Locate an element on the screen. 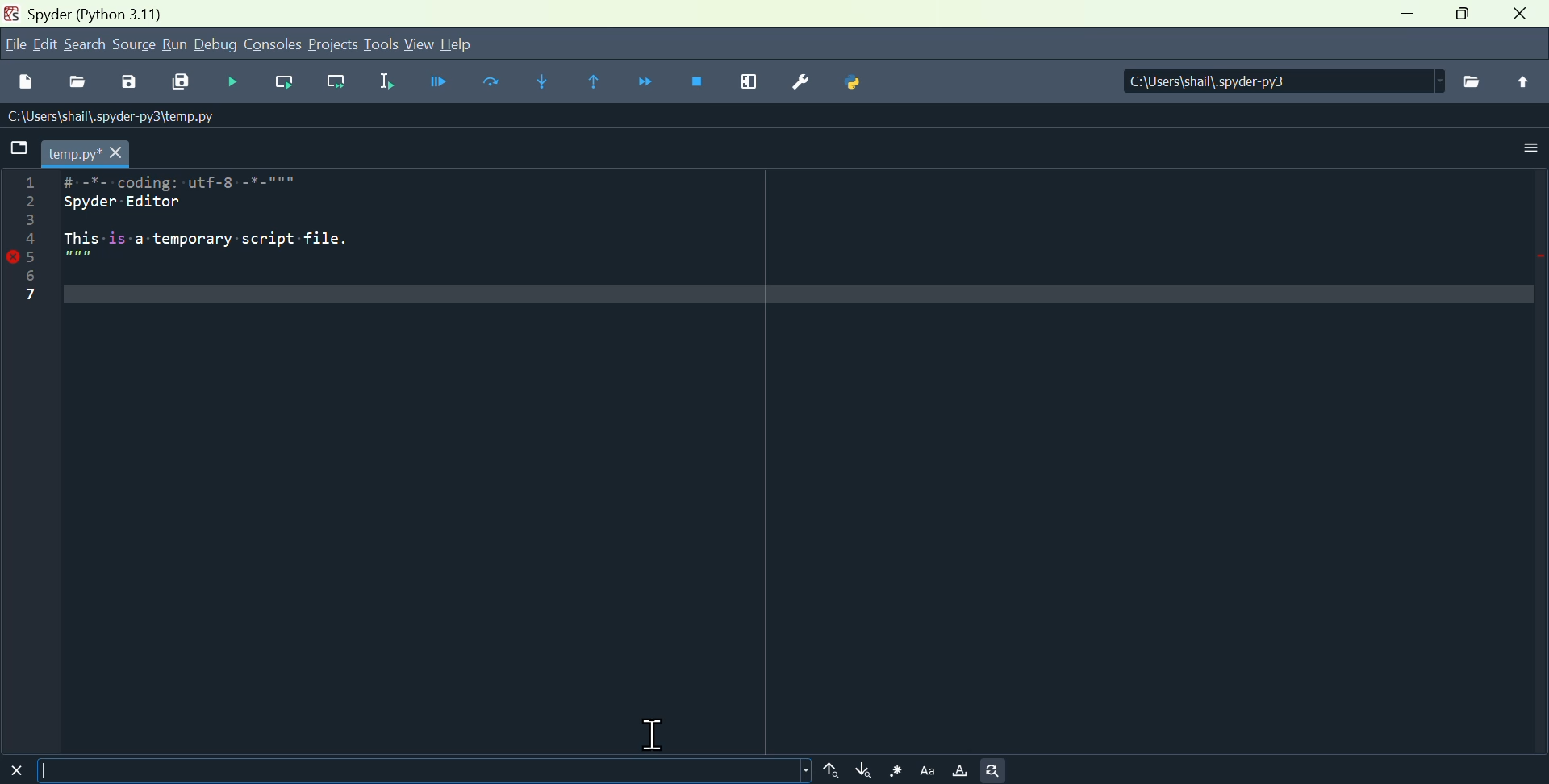  close is located at coordinates (1524, 14).